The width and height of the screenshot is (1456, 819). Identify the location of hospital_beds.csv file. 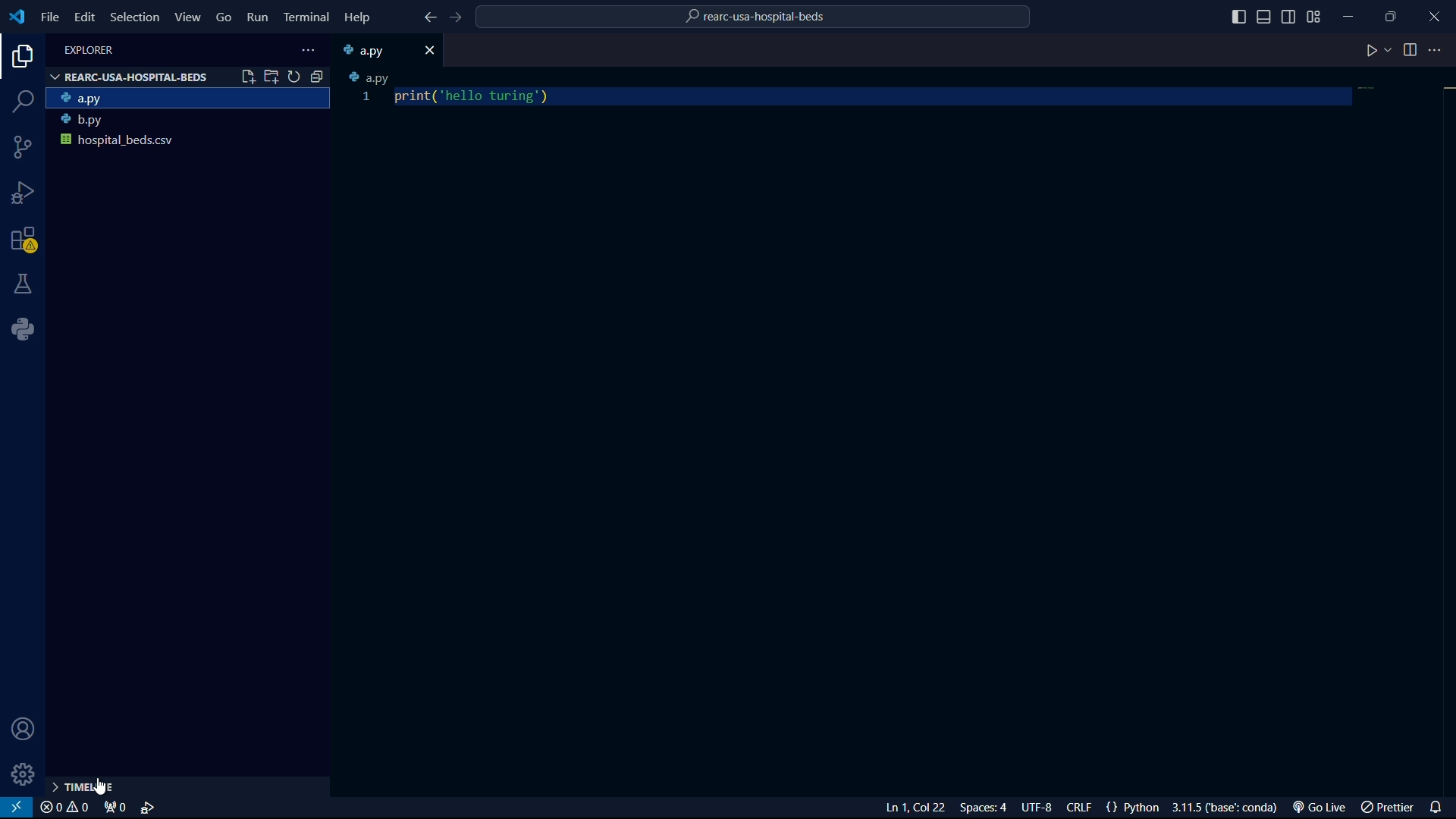
(188, 144).